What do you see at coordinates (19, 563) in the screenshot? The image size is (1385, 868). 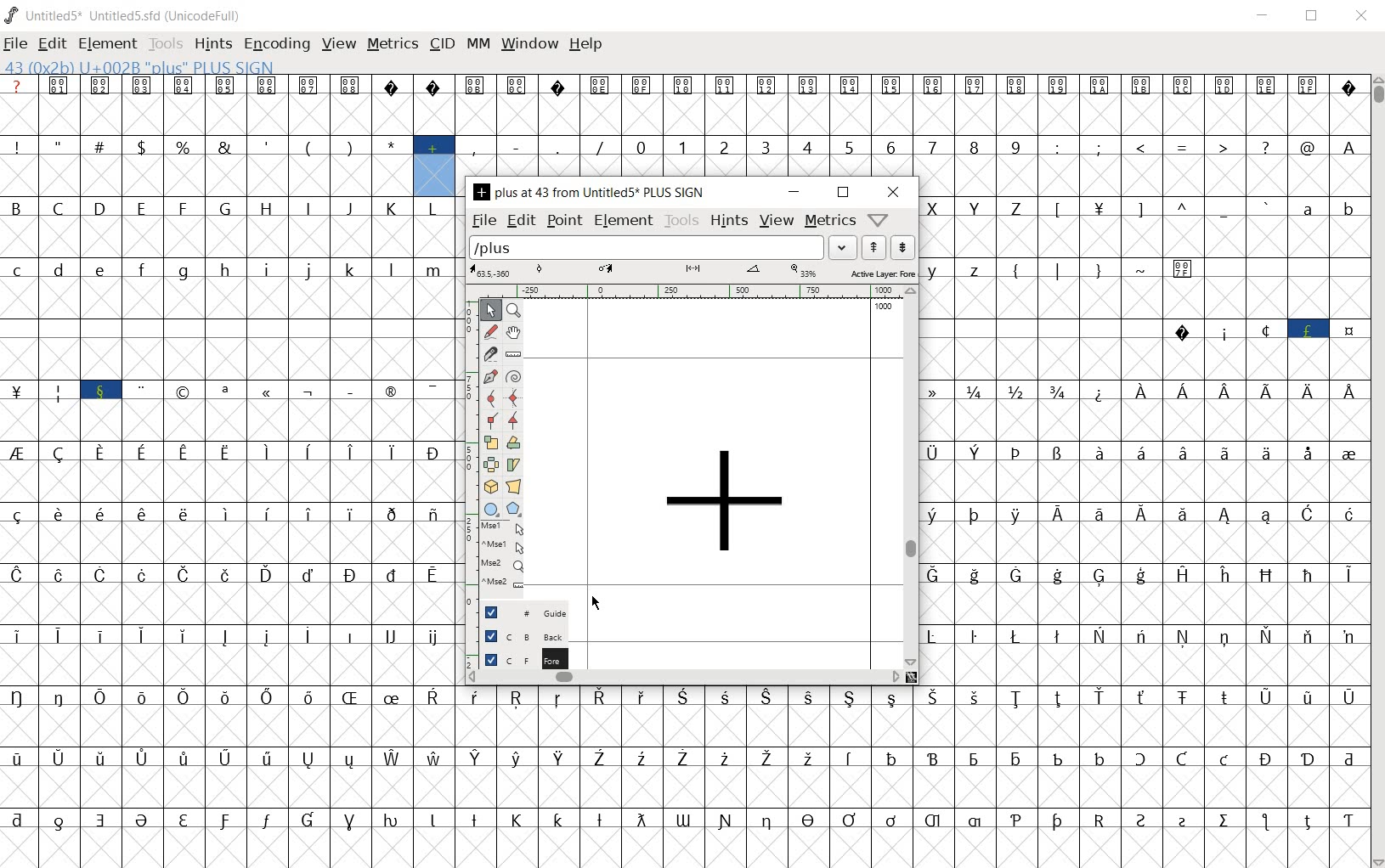 I see `special characters` at bounding box center [19, 563].